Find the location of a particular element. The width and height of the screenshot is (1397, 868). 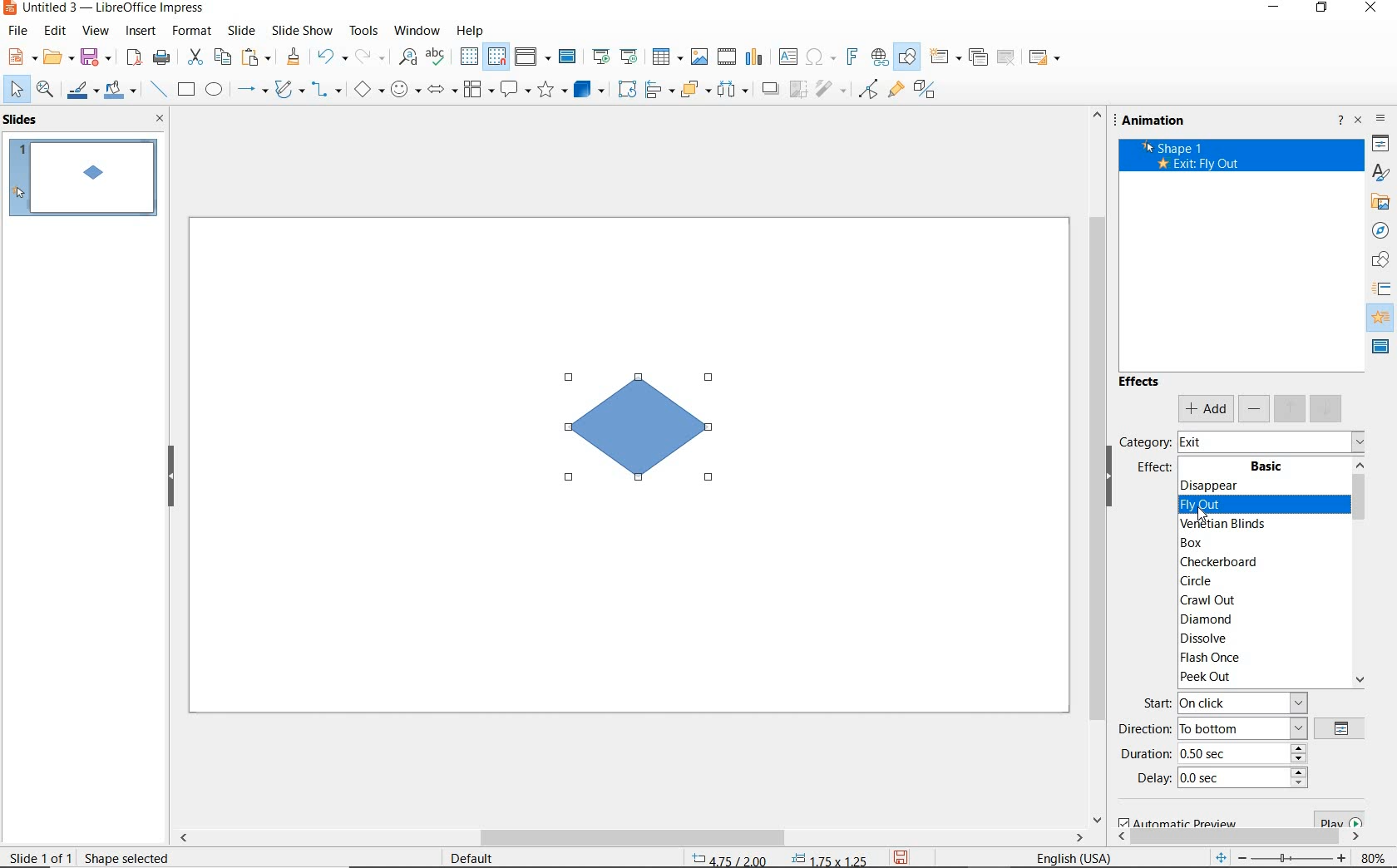

zoom and pan is located at coordinates (46, 91).